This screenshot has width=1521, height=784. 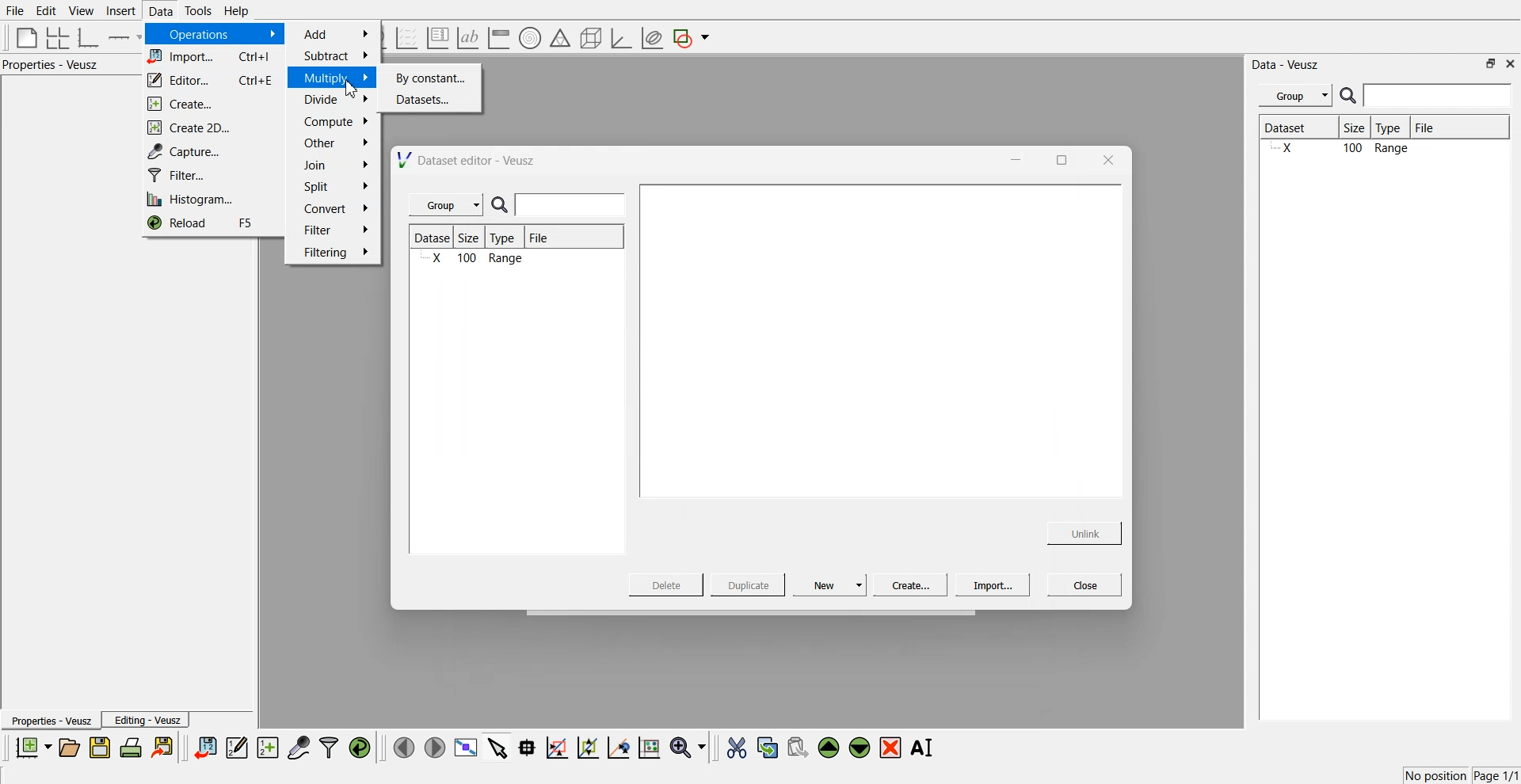 What do you see at coordinates (335, 77) in the screenshot?
I see `Multiply` at bounding box center [335, 77].